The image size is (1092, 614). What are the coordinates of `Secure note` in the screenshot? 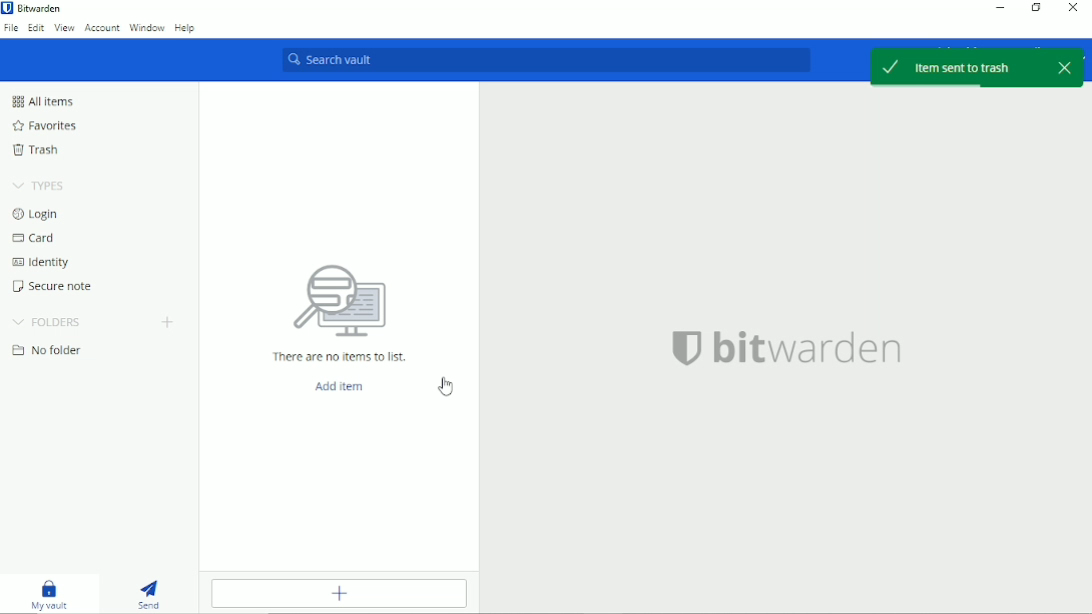 It's located at (49, 287).